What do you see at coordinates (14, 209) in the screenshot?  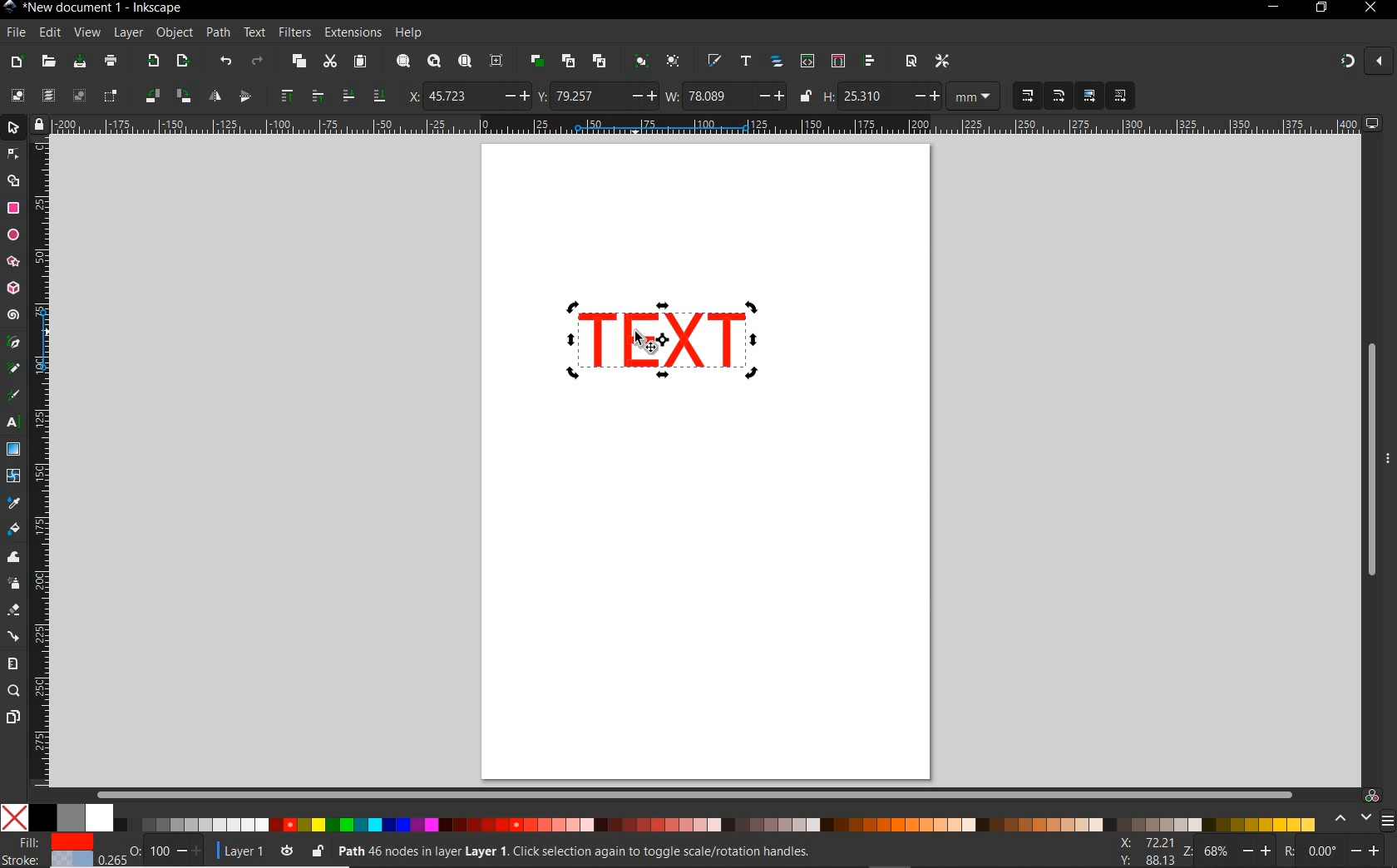 I see `RECTANGLE TOOL` at bounding box center [14, 209].